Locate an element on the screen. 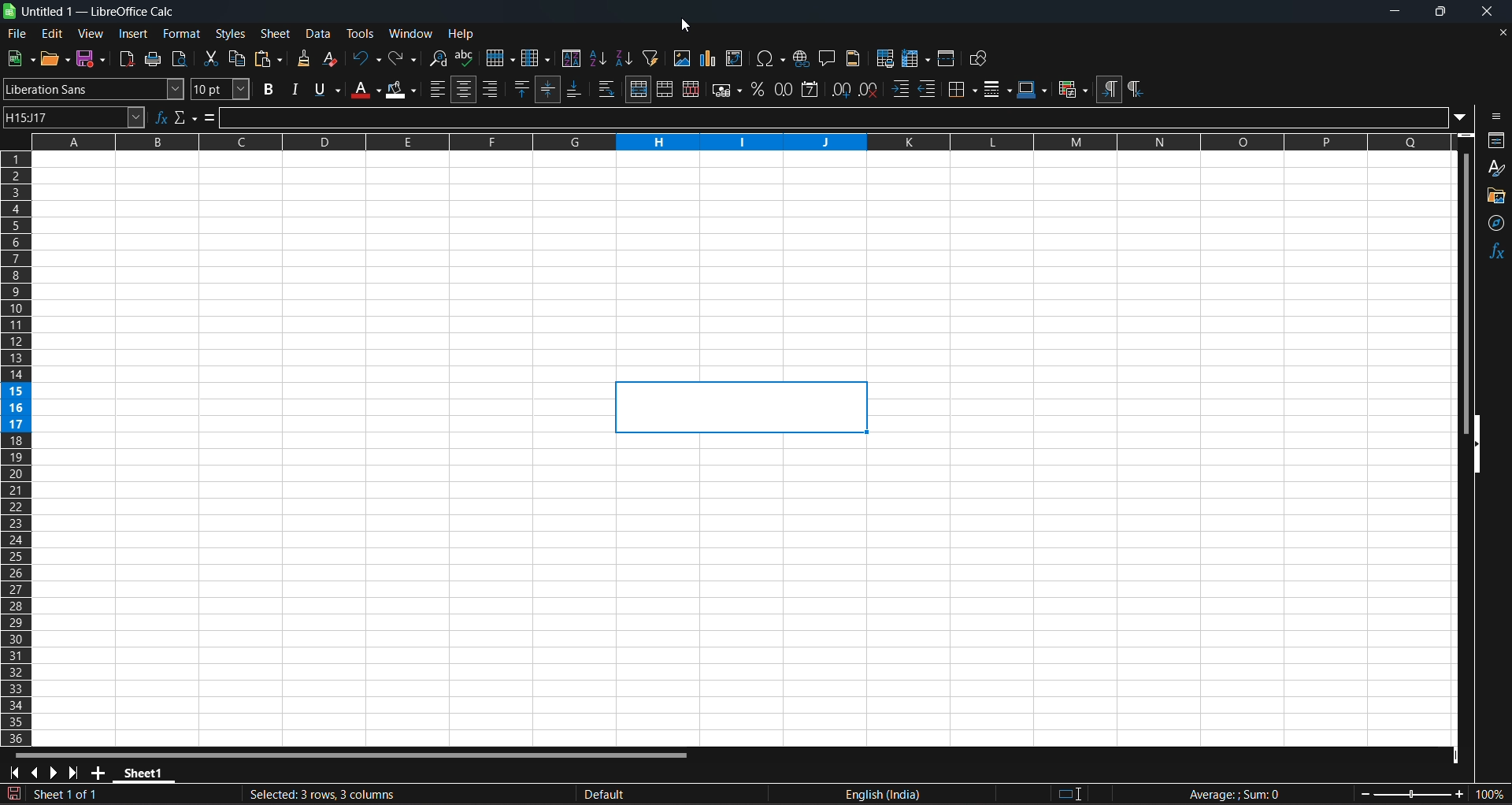 The width and height of the screenshot is (1512, 805). align right is located at coordinates (495, 87).